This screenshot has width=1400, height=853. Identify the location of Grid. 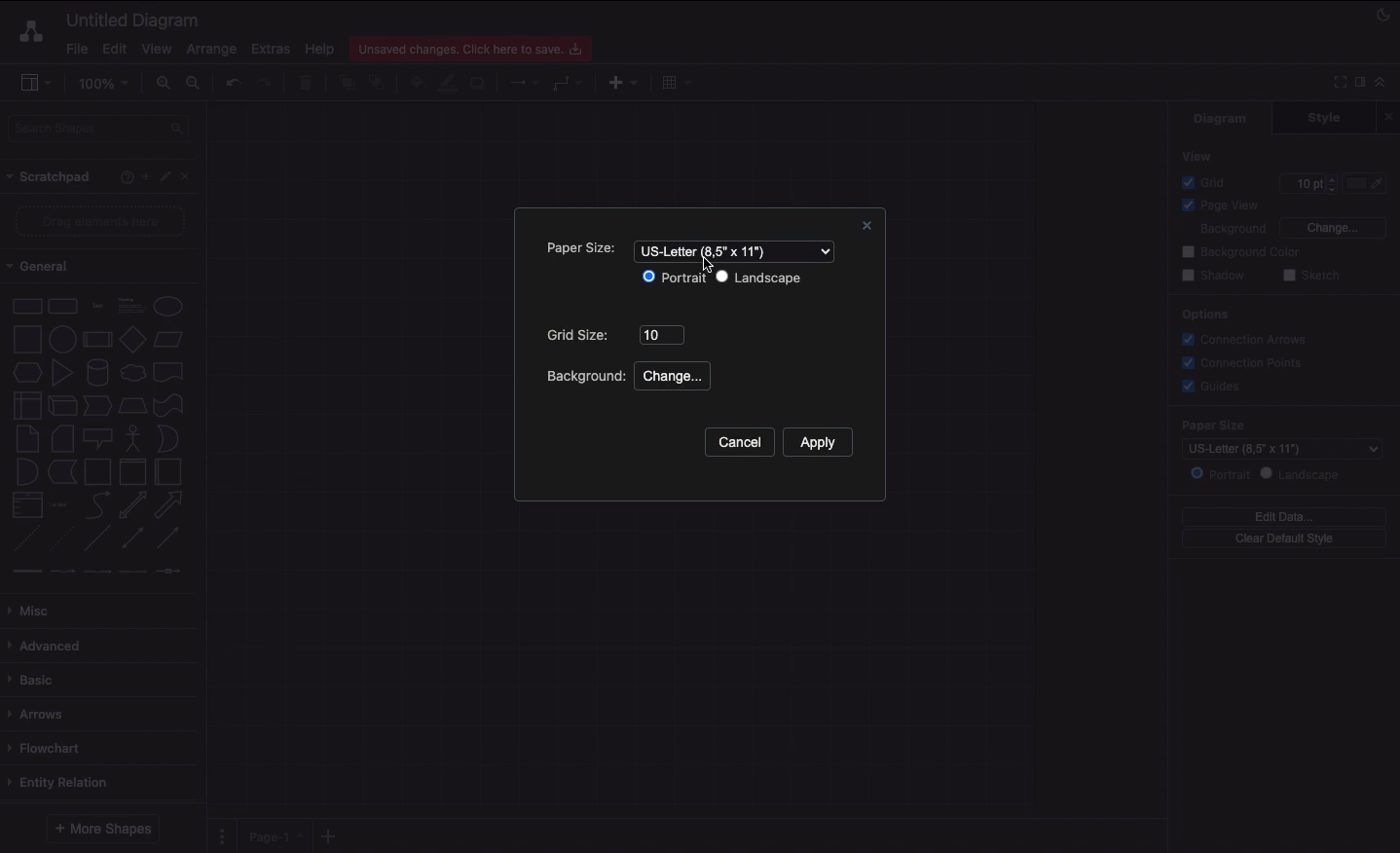
(1208, 182).